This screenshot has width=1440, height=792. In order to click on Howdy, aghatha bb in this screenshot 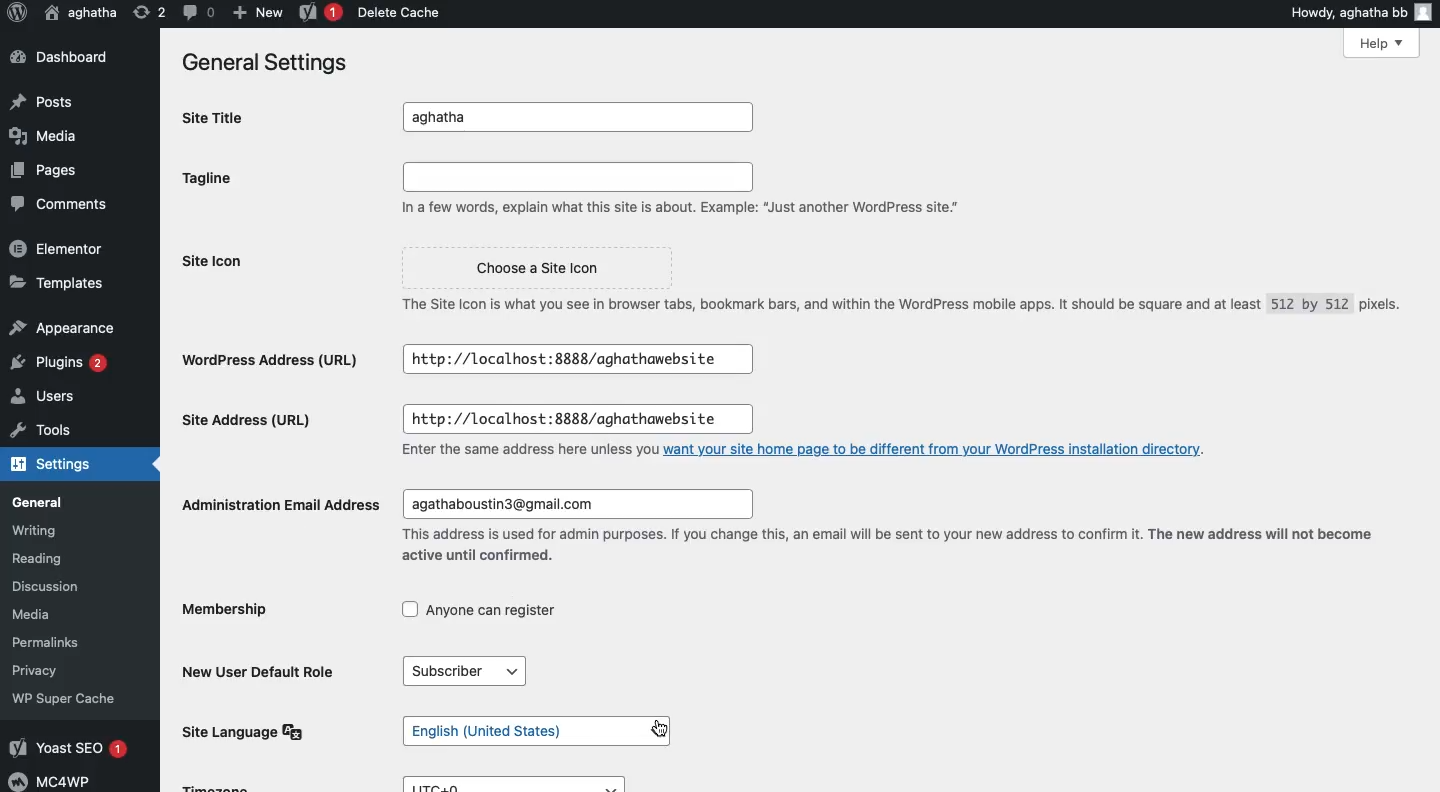, I will do `click(1360, 11)`.